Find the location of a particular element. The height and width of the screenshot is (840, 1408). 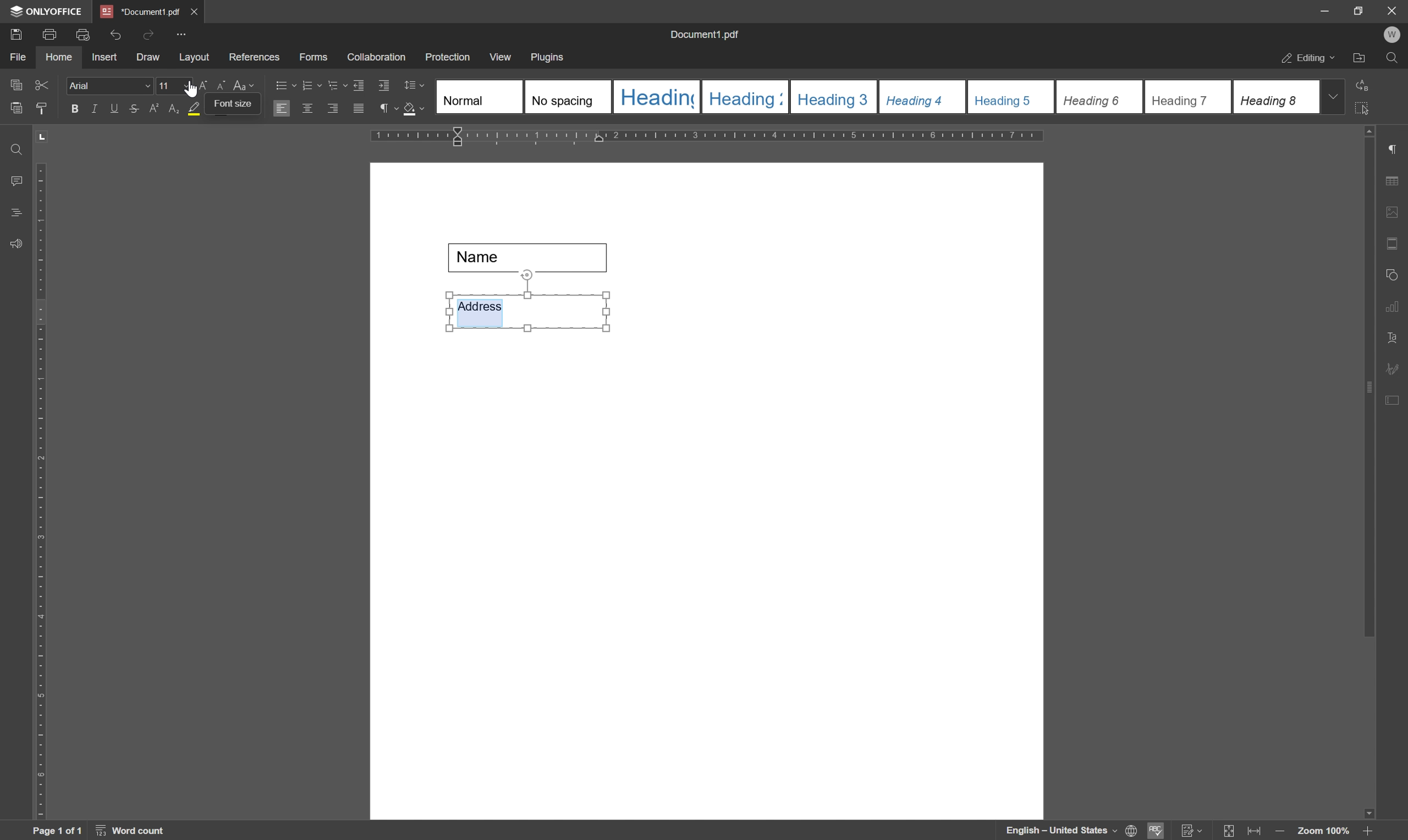

cut is located at coordinates (41, 84).